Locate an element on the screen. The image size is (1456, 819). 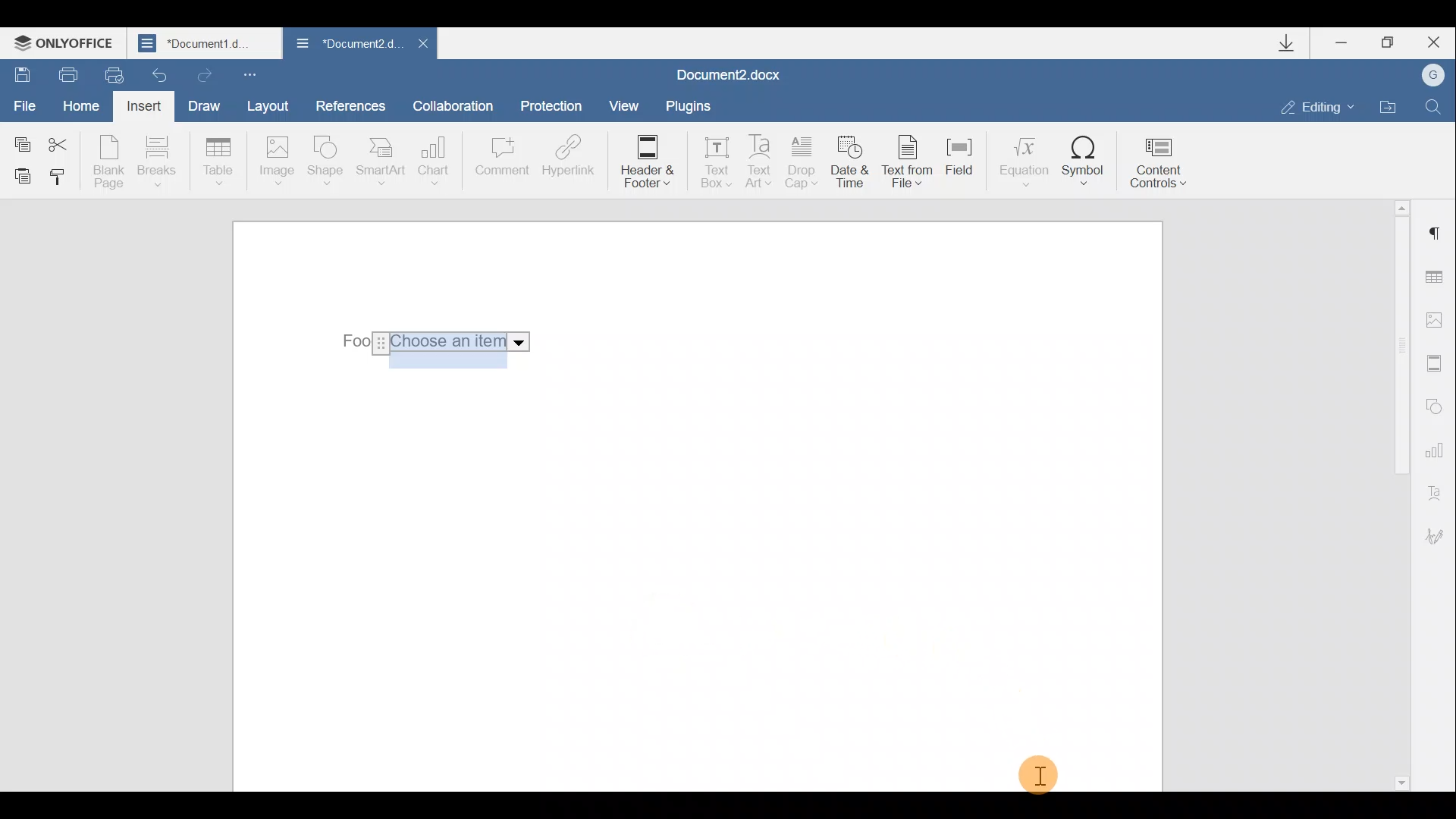
Text box is located at coordinates (711, 158).